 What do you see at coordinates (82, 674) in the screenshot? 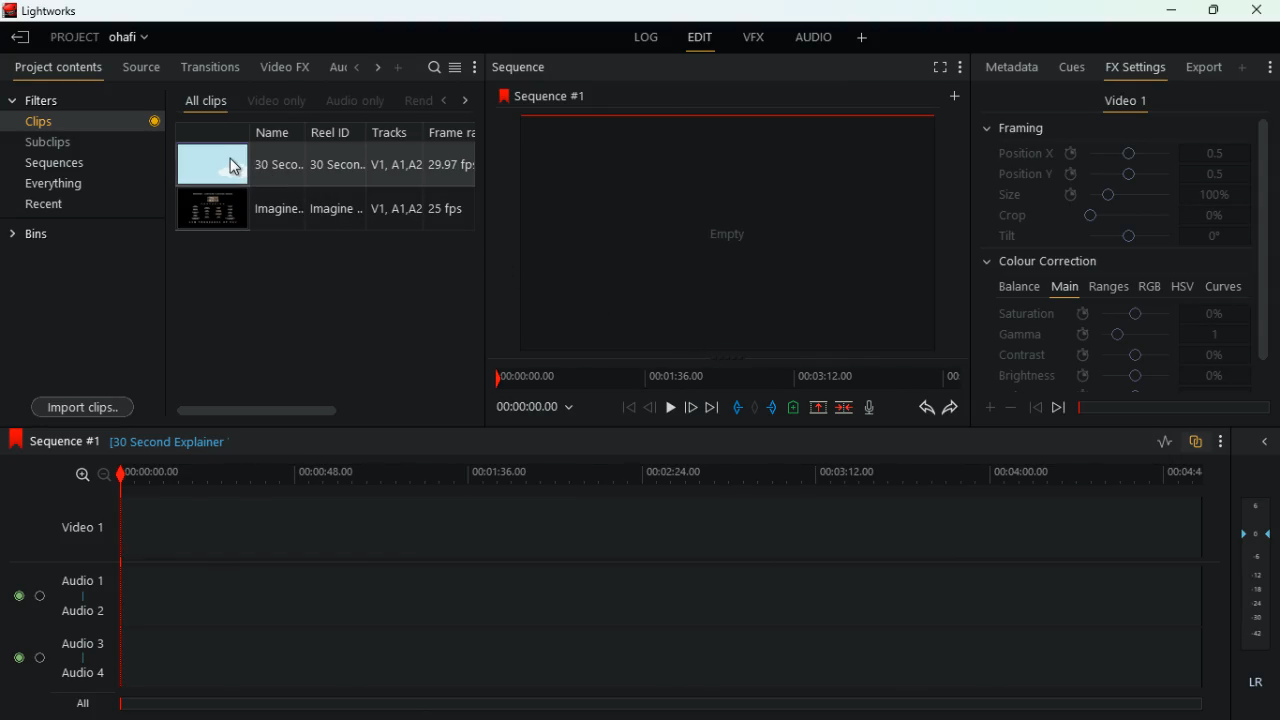
I see `audio 4` at bounding box center [82, 674].